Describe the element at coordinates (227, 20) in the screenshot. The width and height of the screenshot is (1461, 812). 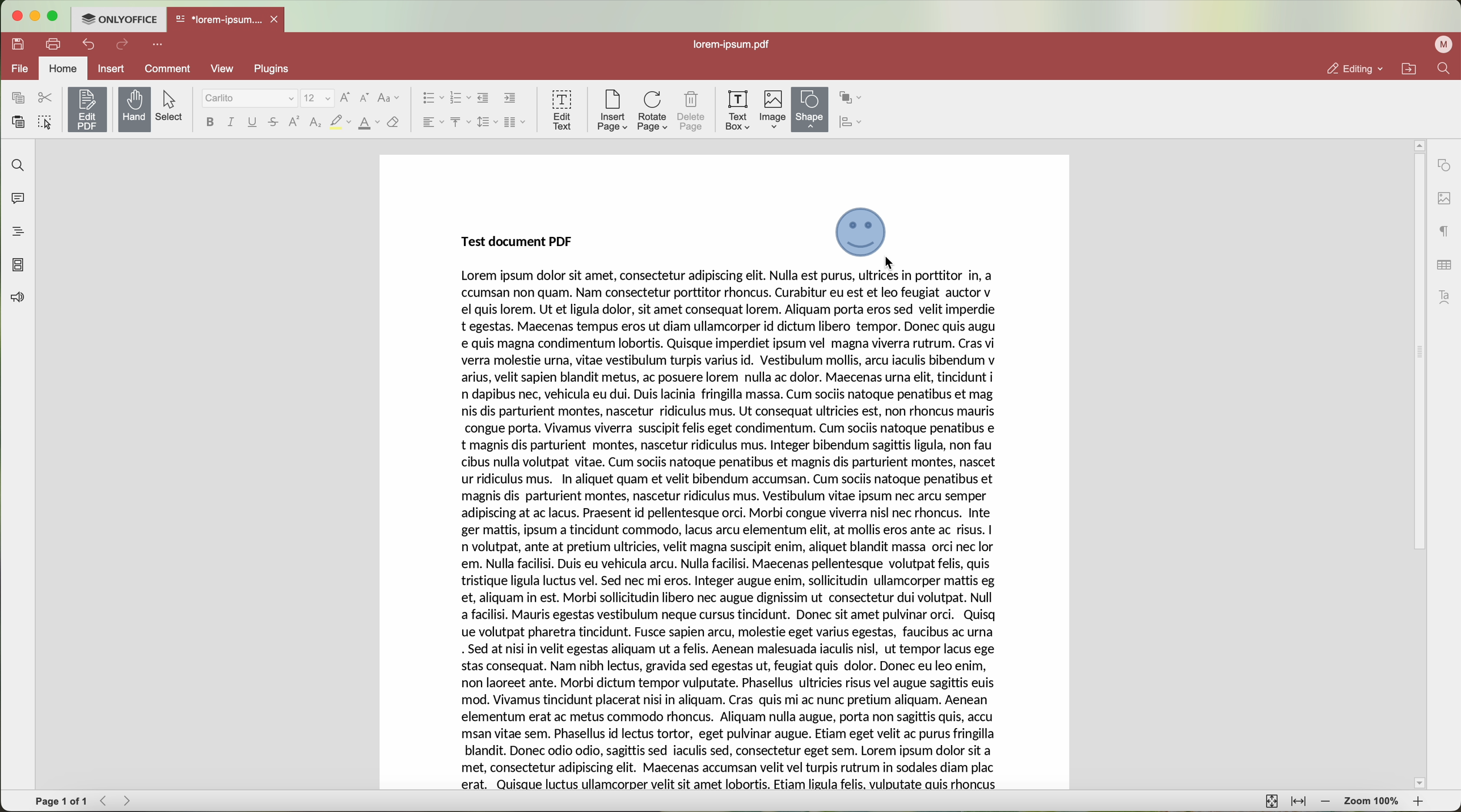
I see `open file` at that location.